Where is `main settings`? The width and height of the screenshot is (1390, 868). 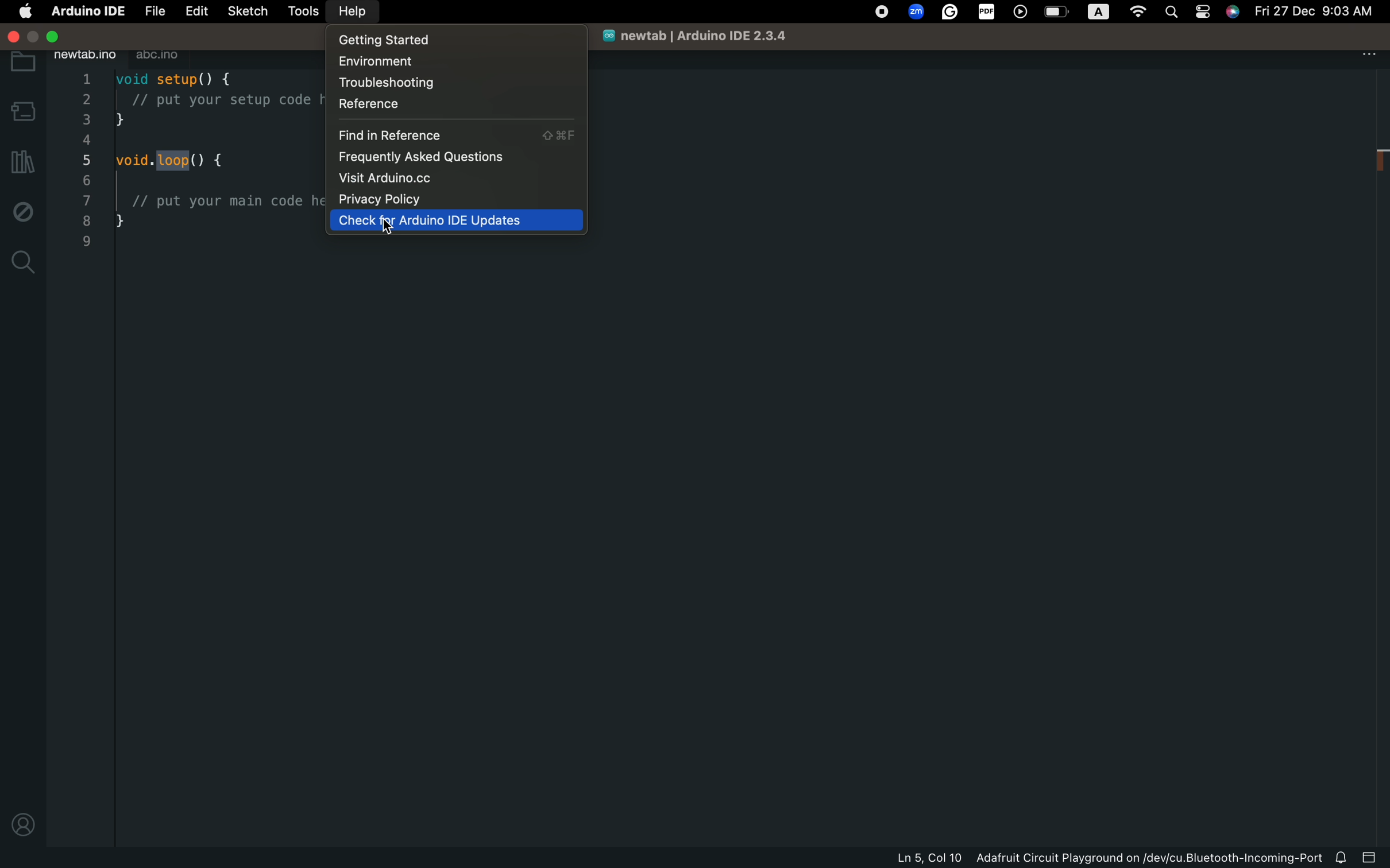 main settings is located at coordinates (1368, 54).